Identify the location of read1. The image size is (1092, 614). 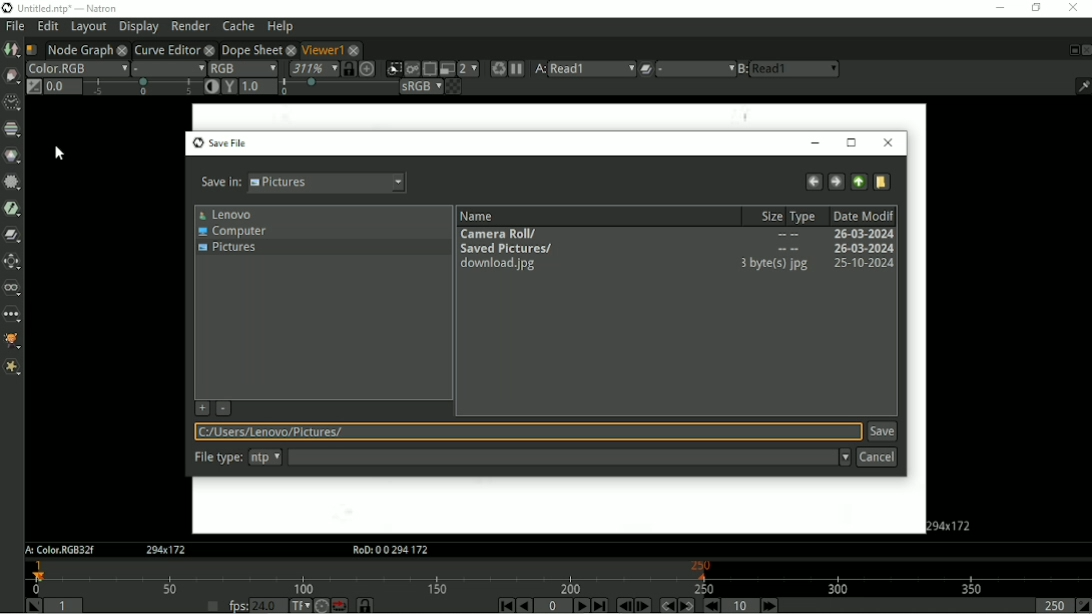
(796, 68).